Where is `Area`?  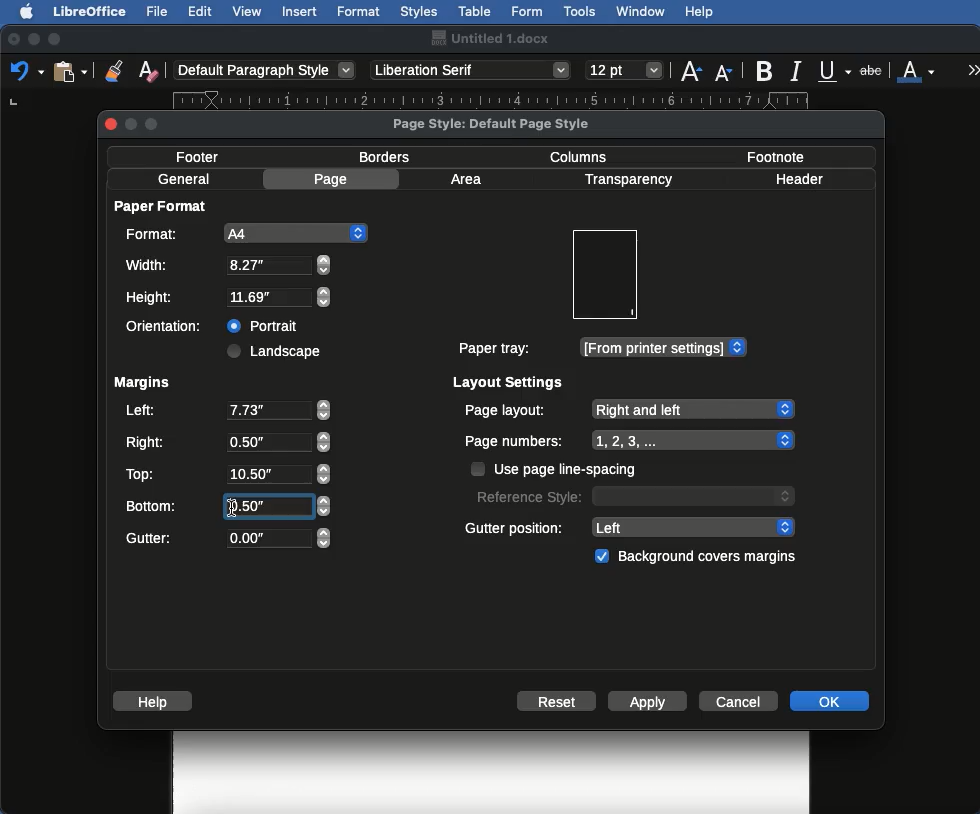
Area is located at coordinates (469, 179).